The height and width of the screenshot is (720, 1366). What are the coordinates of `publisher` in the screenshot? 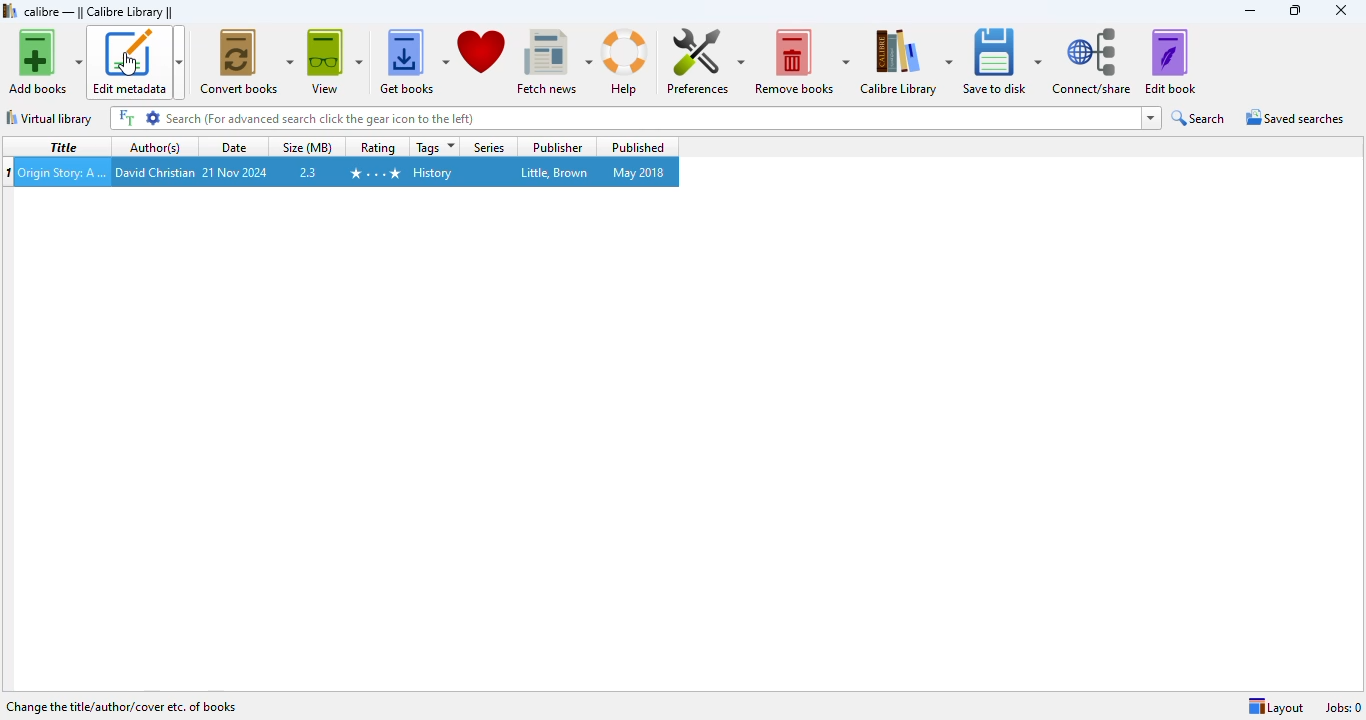 It's located at (557, 148).